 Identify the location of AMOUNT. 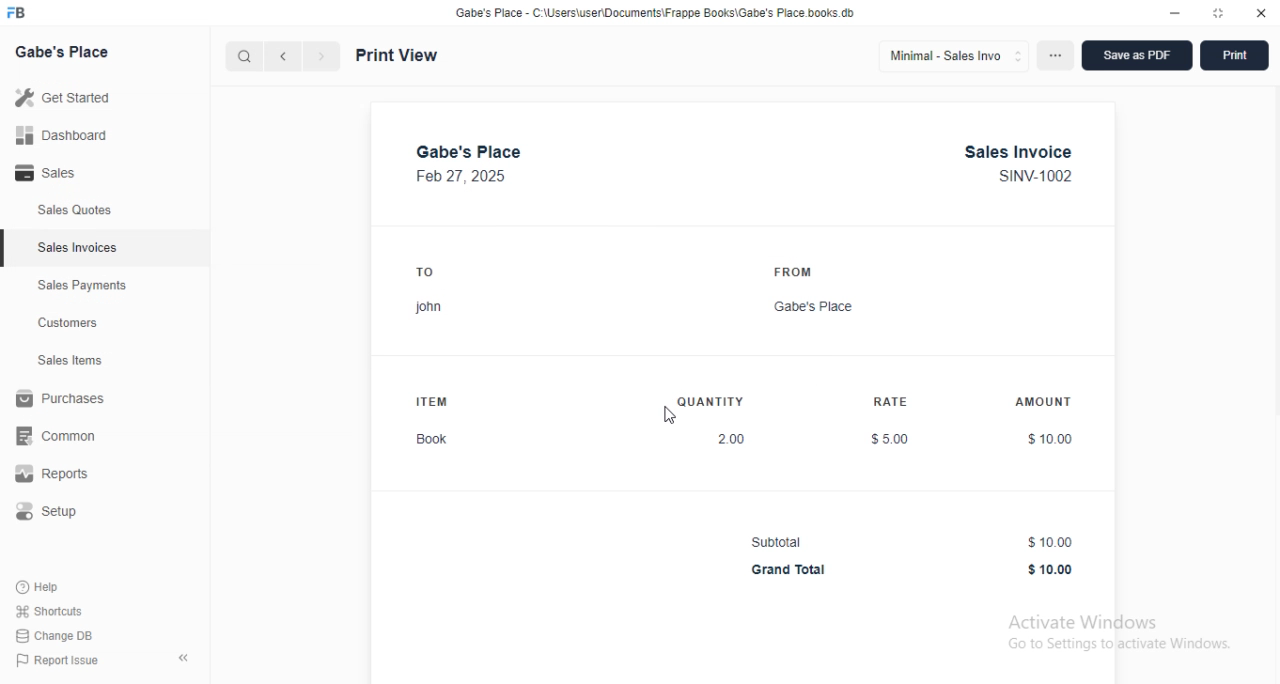
(1043, 401).